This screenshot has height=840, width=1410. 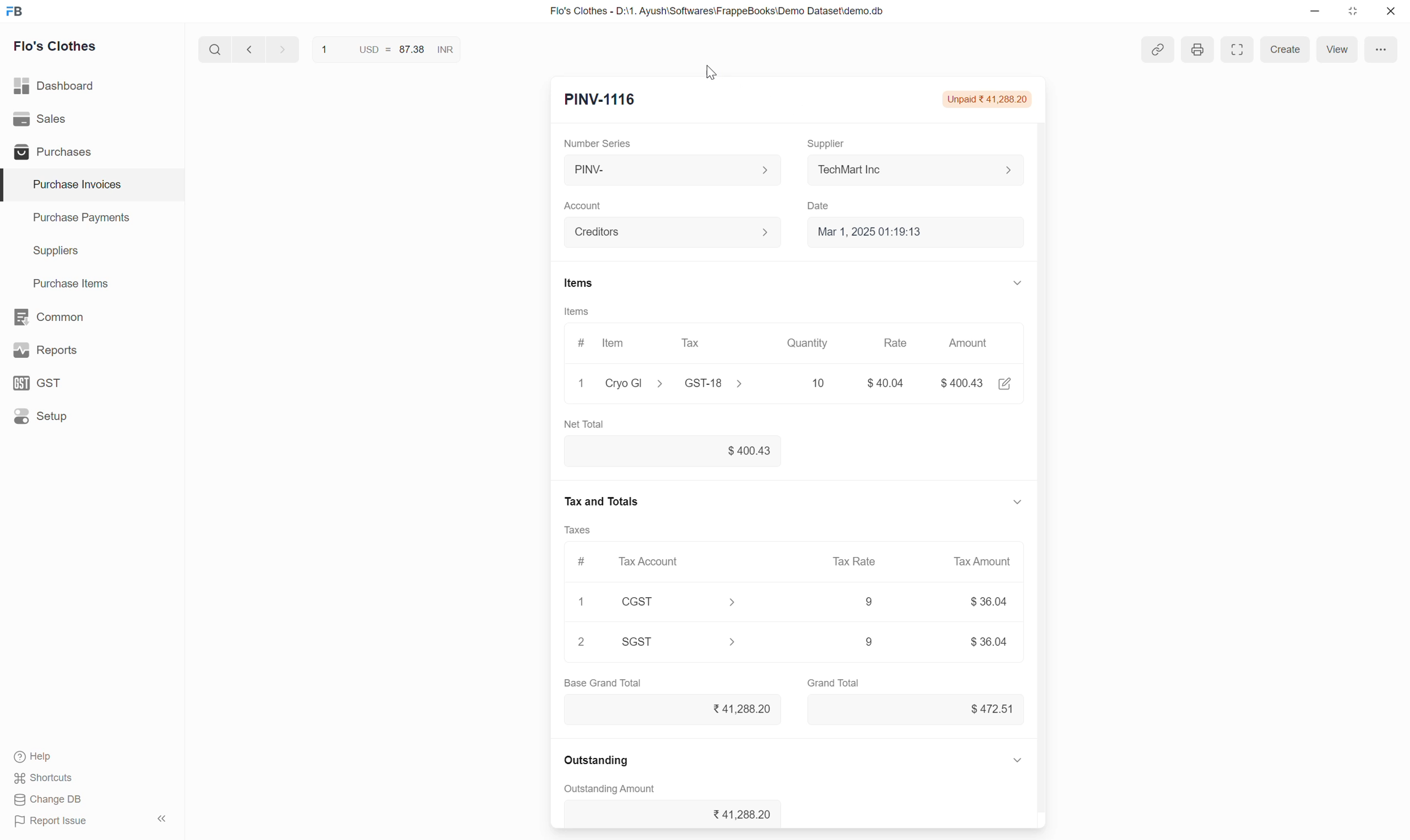 What do you see at coordinates (831, 139) in the screenshot?
I see `Supplier` at bounding box center [831, 139].